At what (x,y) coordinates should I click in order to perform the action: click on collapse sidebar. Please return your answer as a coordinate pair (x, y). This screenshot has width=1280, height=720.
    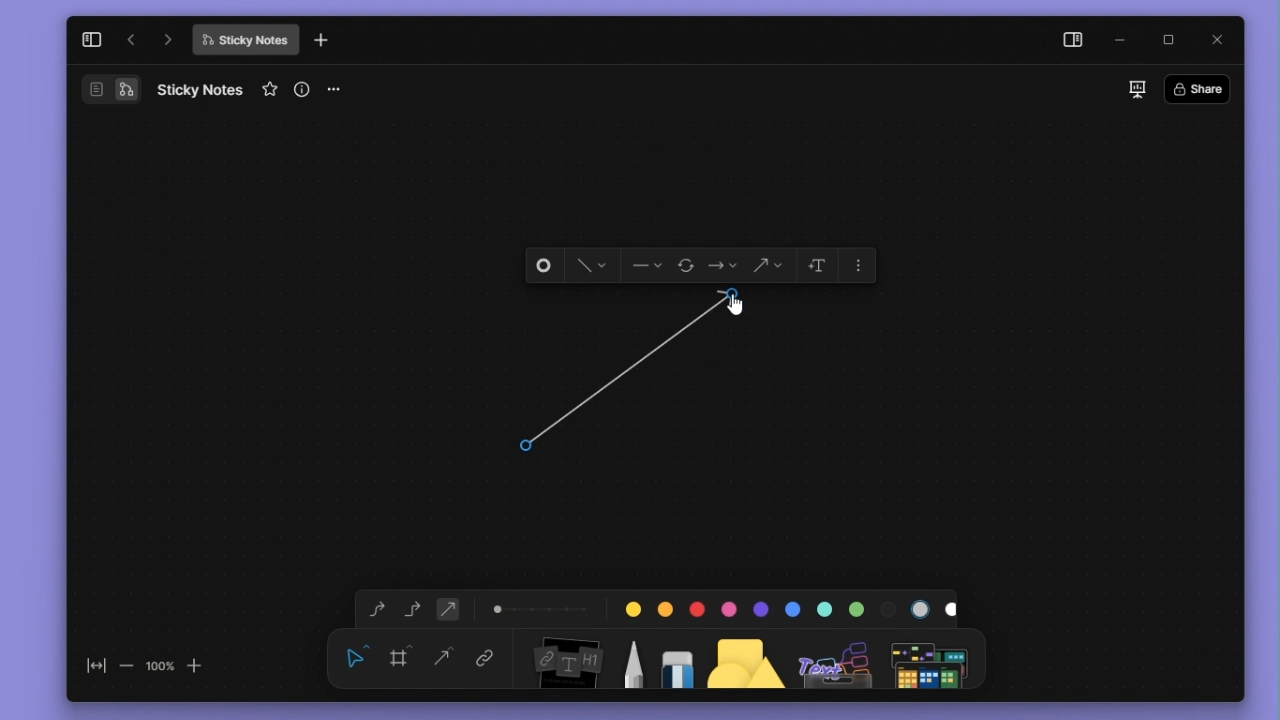
    Looking at the image, I should click on (91, 39).